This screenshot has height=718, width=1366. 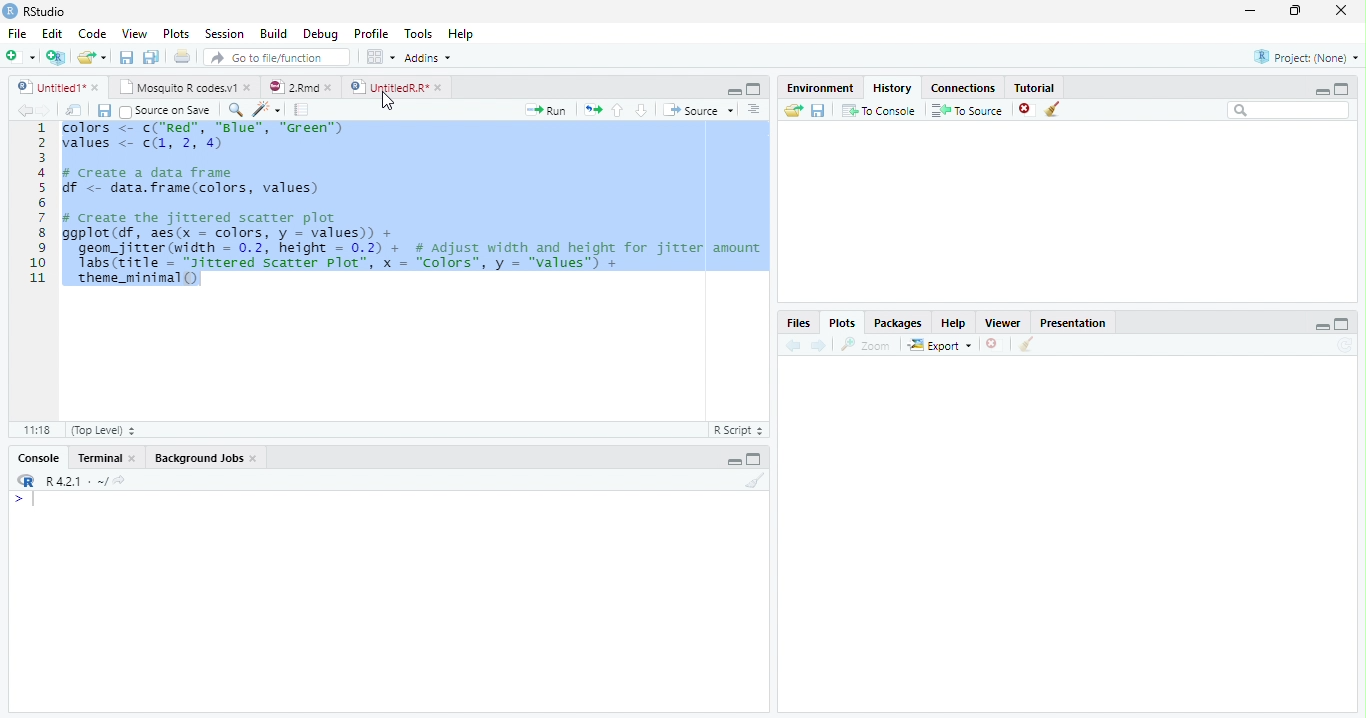 I want to click on Go to previous section/chunk, so click(x=617, y=110).